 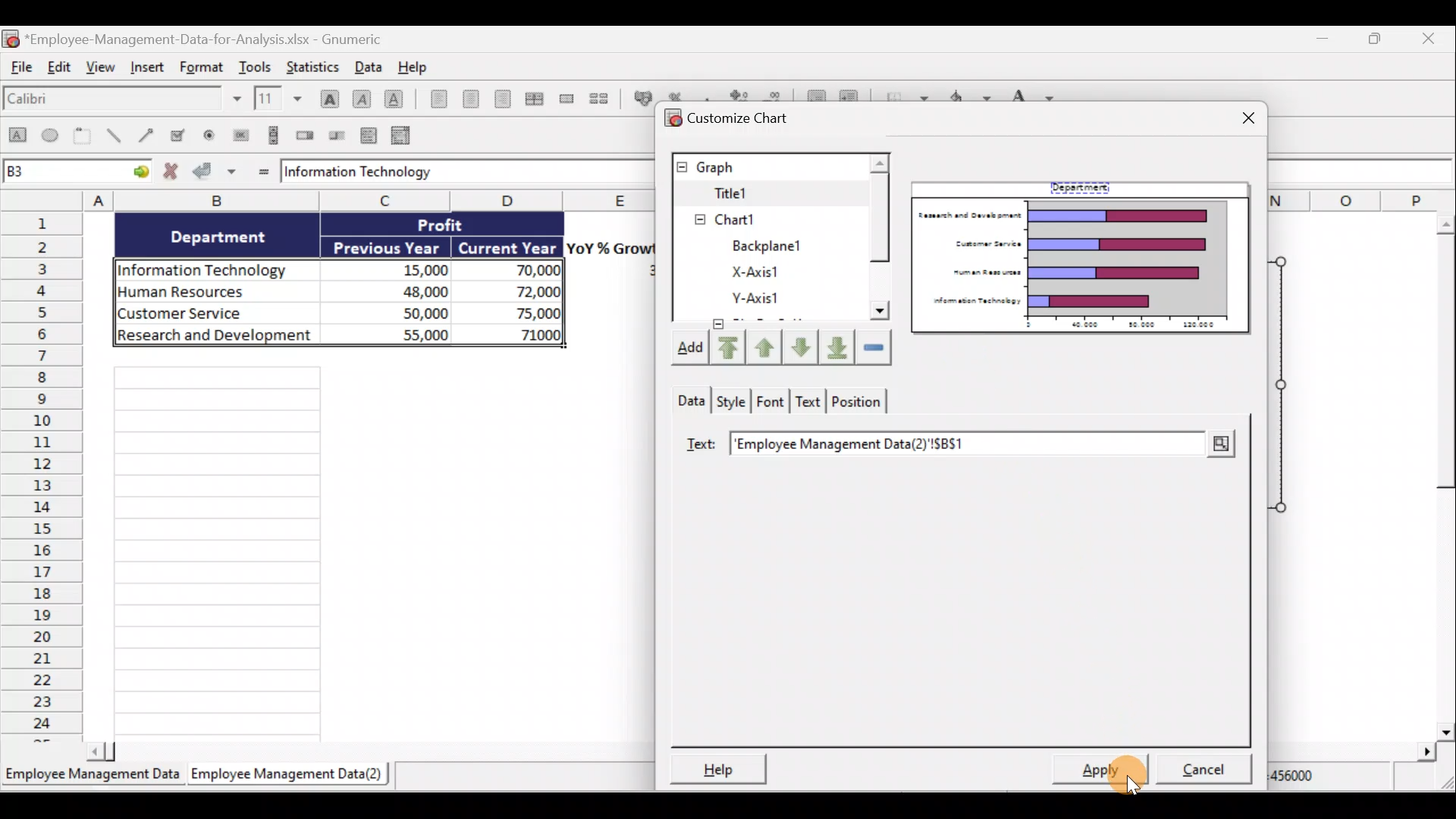 I want to click on Scroll bar, so click(x=363, y=752).